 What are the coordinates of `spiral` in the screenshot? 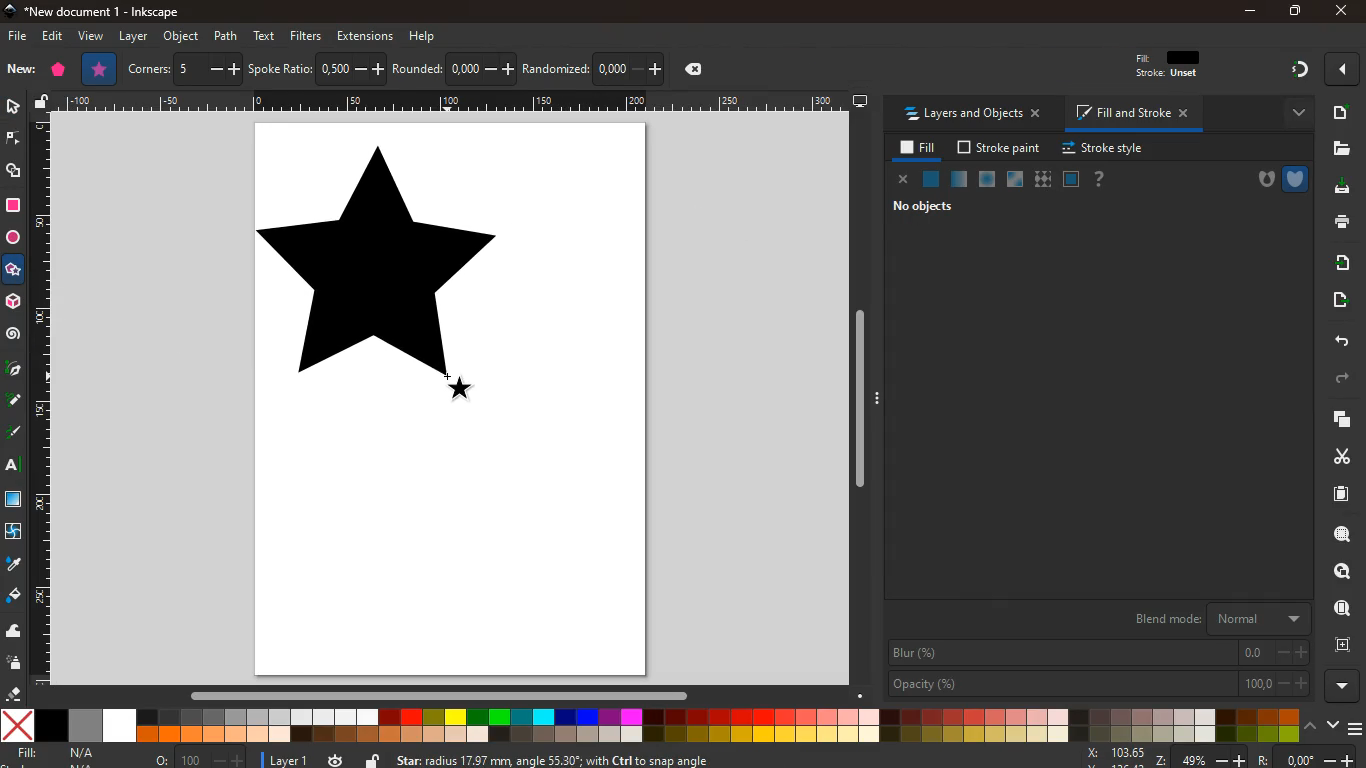 It's located at (15, 338).